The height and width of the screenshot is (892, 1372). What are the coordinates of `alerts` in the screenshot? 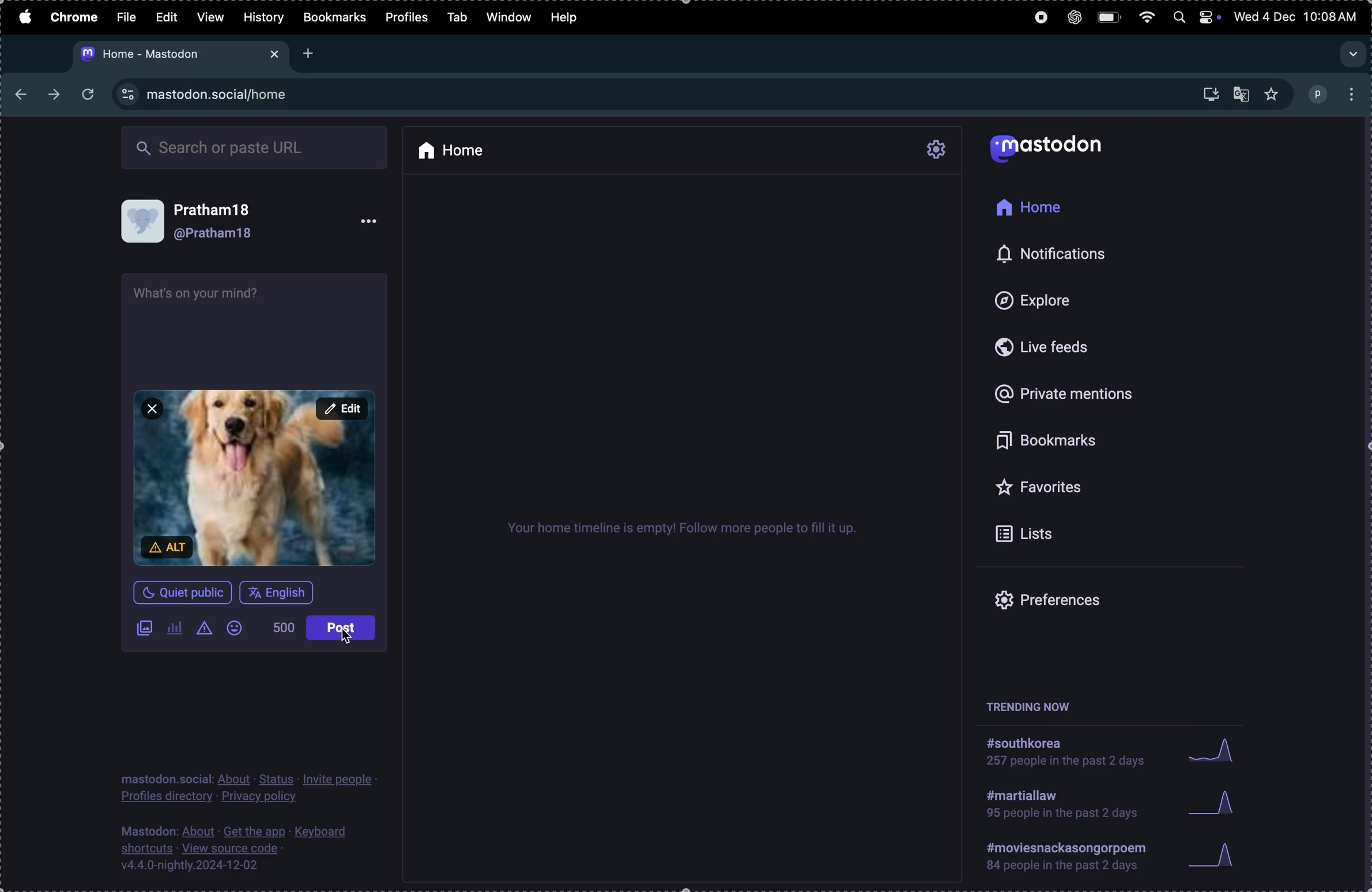 It's located at (208, 630).